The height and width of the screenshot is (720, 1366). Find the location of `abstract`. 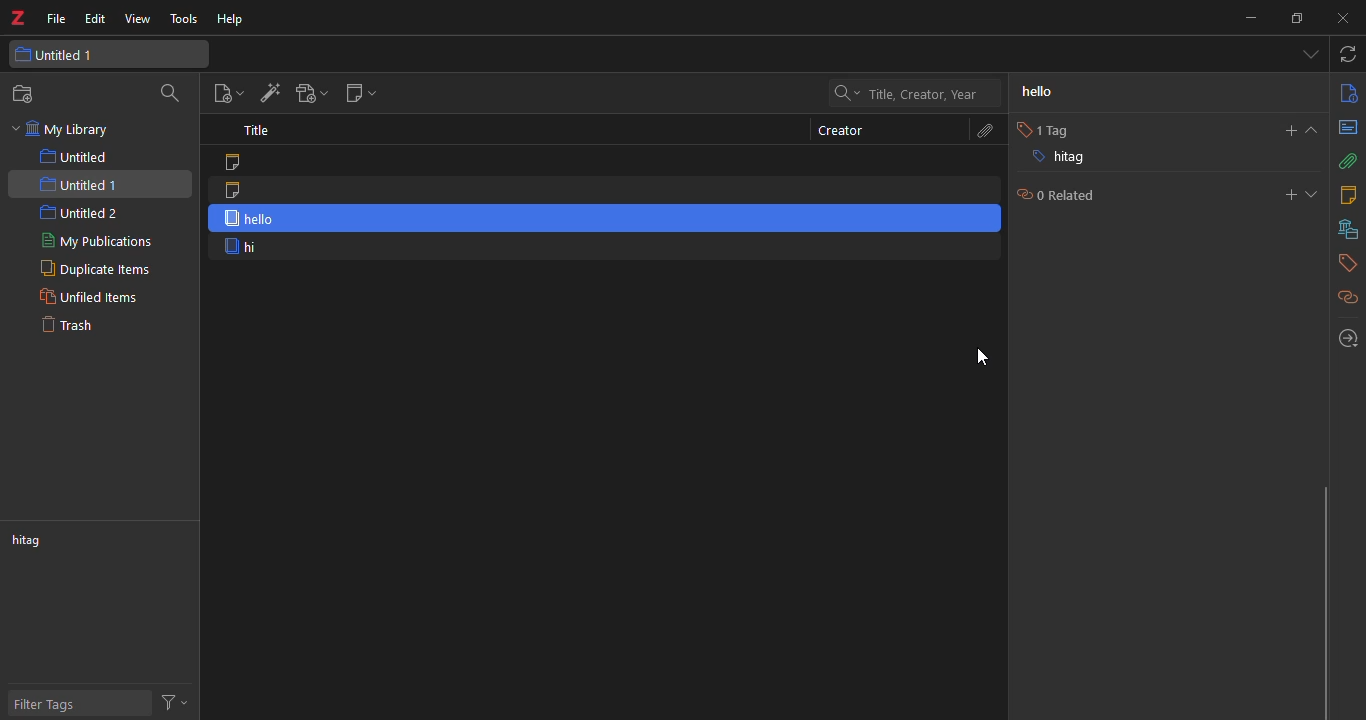

abstract is located at coordinates (1347, 129).